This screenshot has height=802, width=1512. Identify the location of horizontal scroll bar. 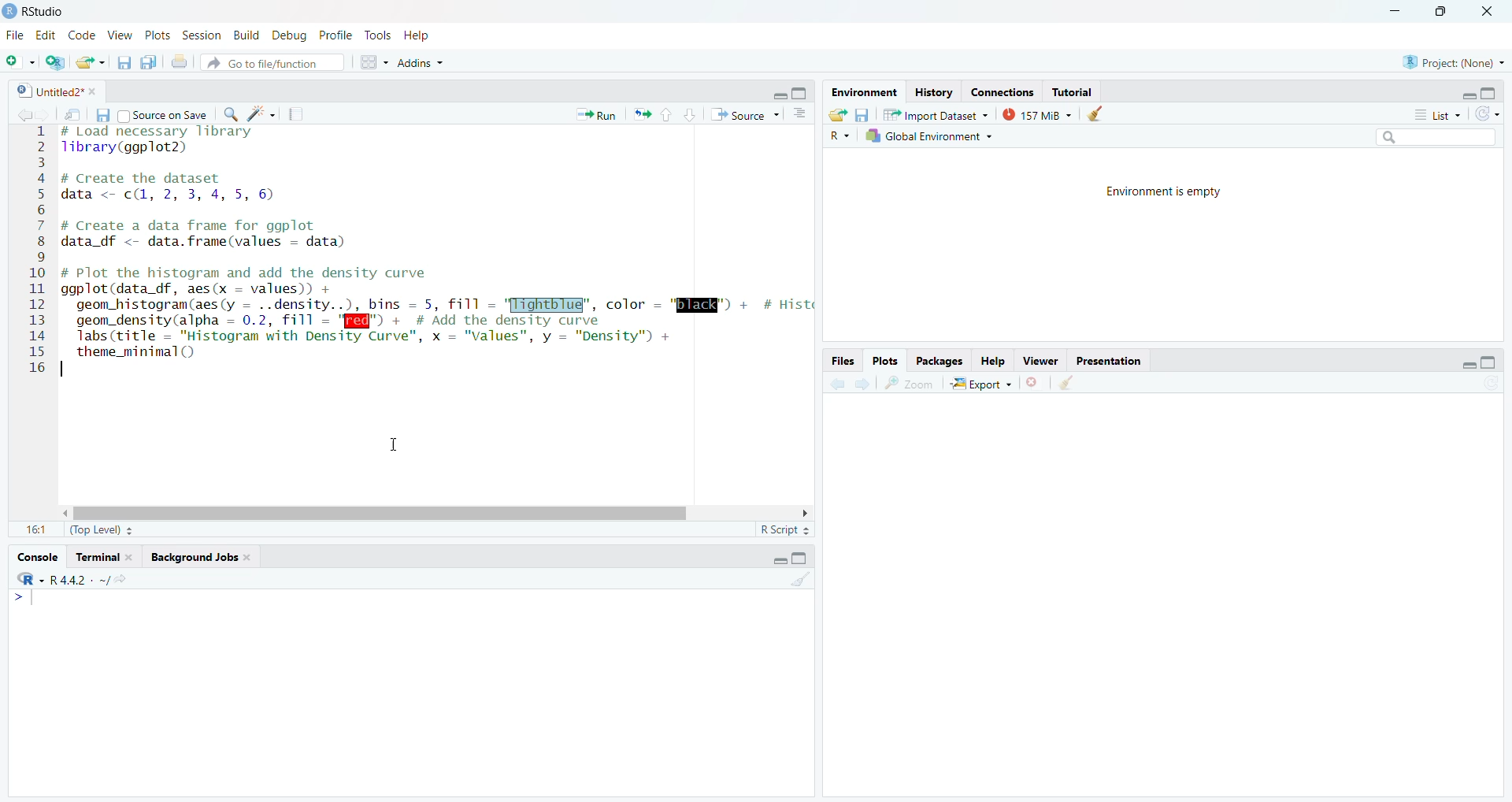
(384, 514).